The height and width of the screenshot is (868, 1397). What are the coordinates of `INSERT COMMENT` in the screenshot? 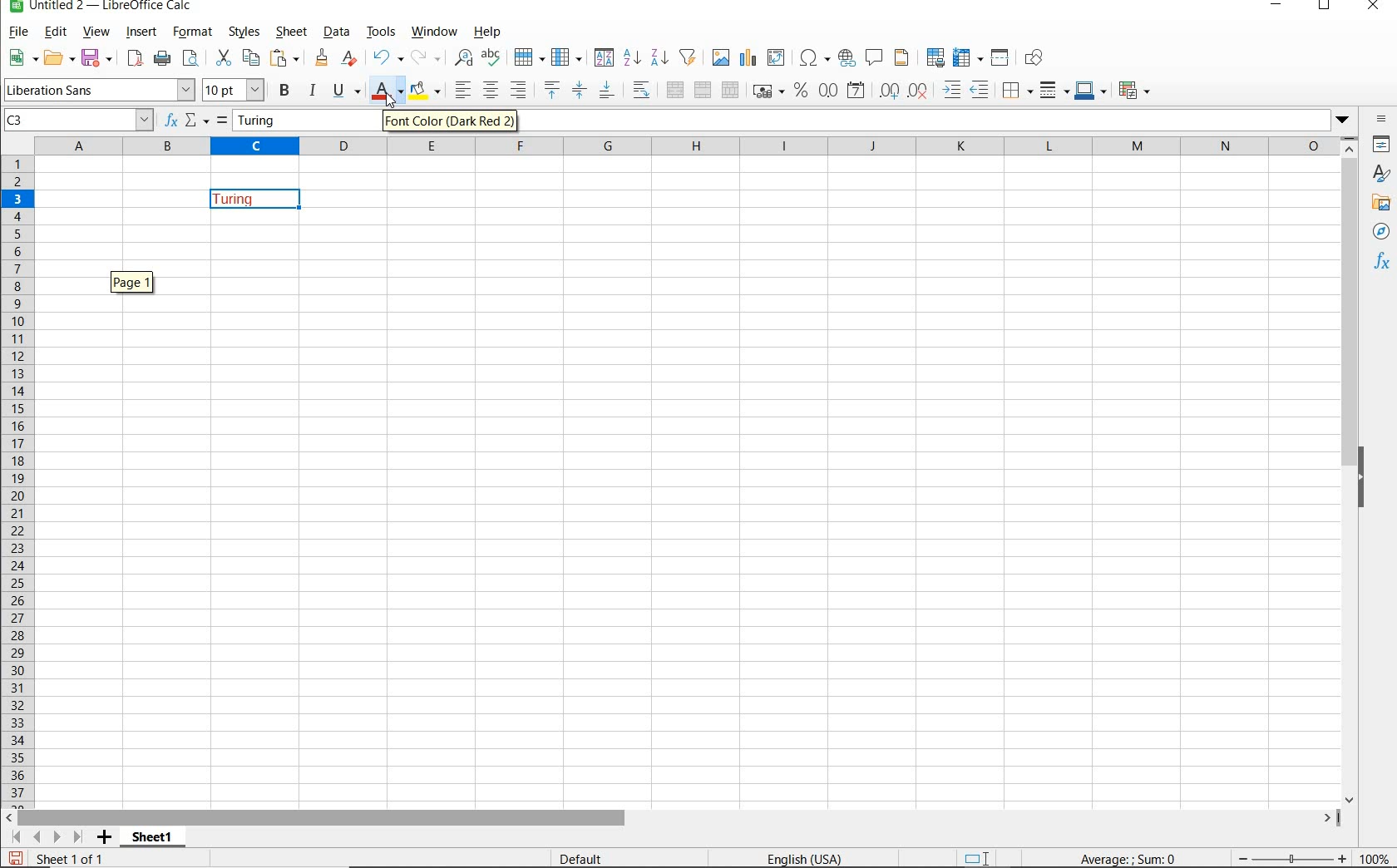 It's located at (876, 56).